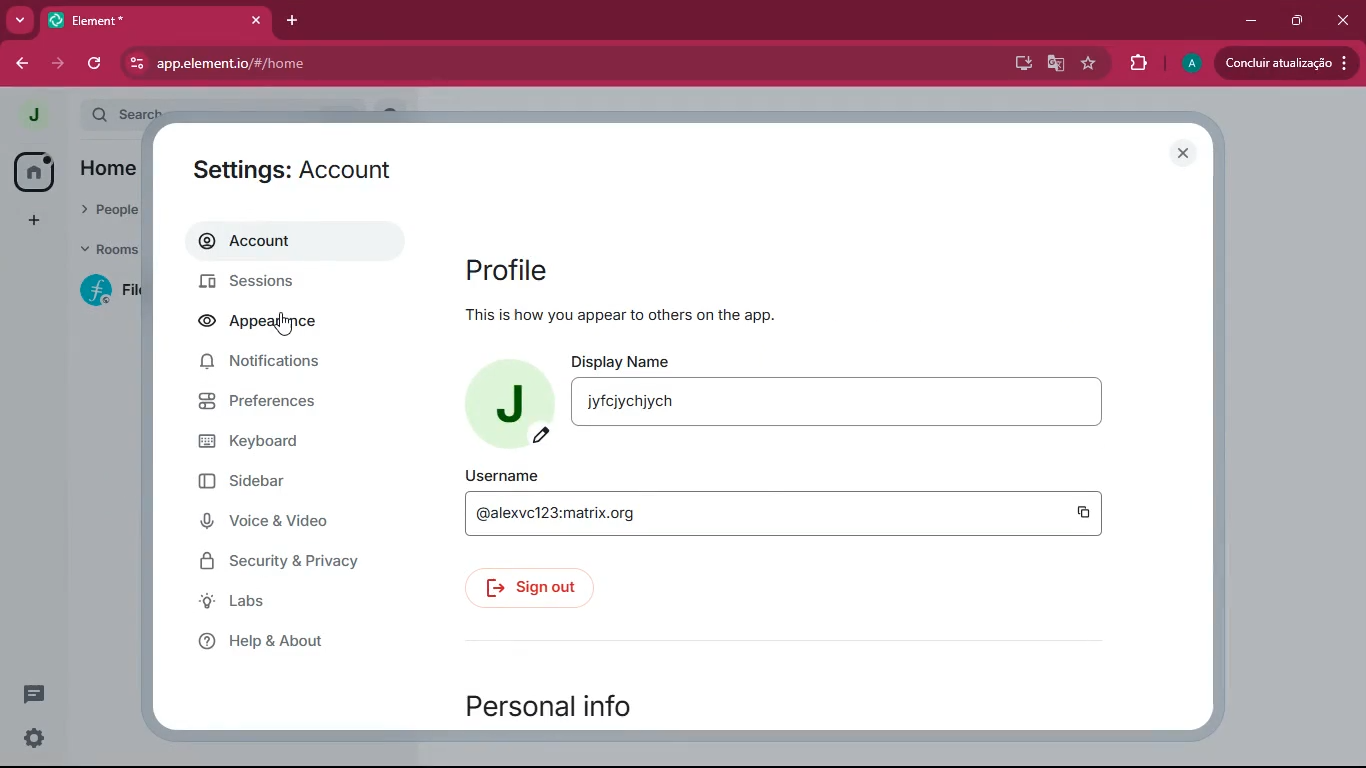 This screenshot has height=768, width=1366. What do you see at coordinates (289, 640) in the screenshot?
I see `help` at bounding box center [289, 640].